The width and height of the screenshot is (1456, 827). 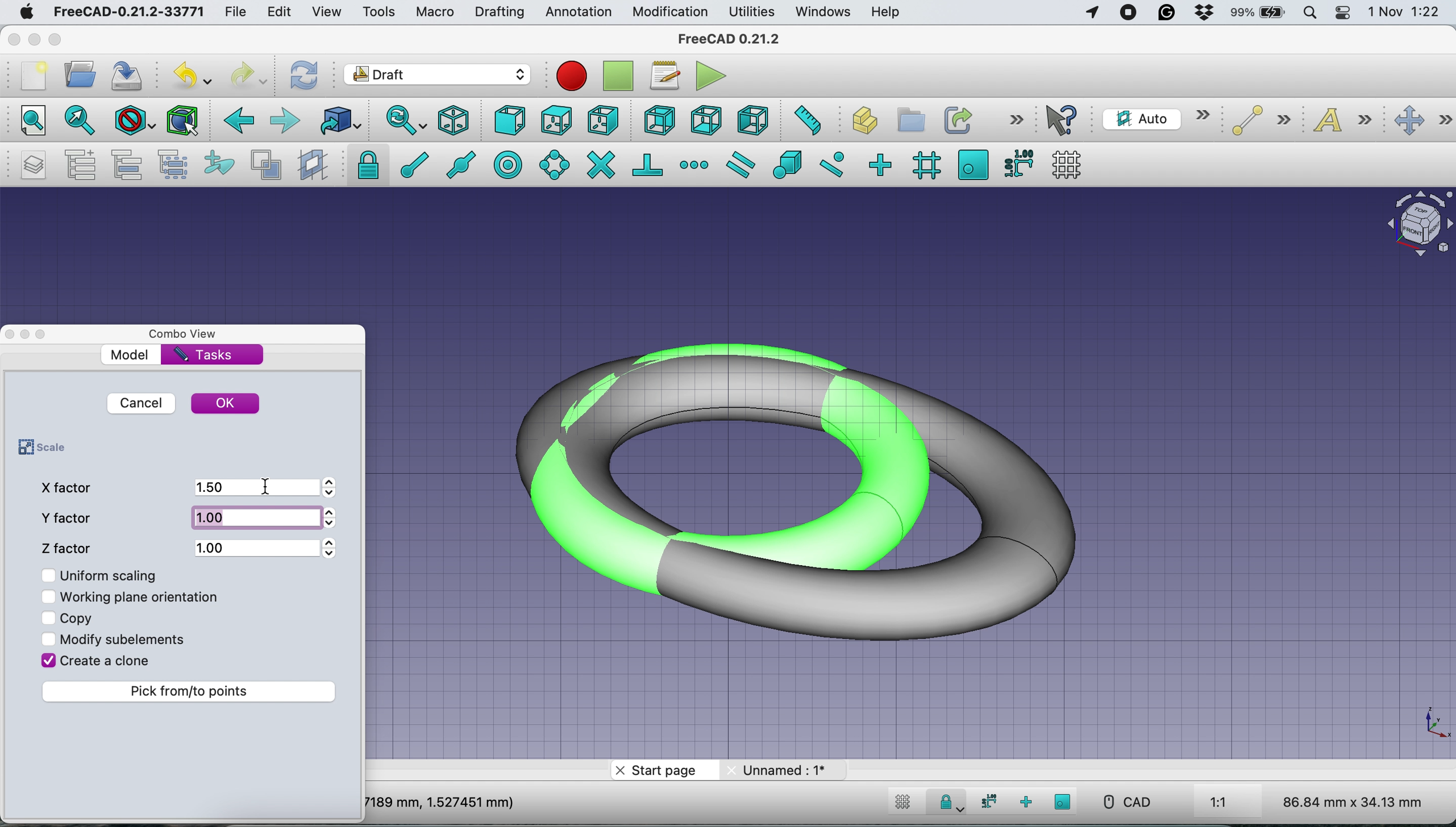 I want to click on create working plane proxy, so click(x=311, y=164).